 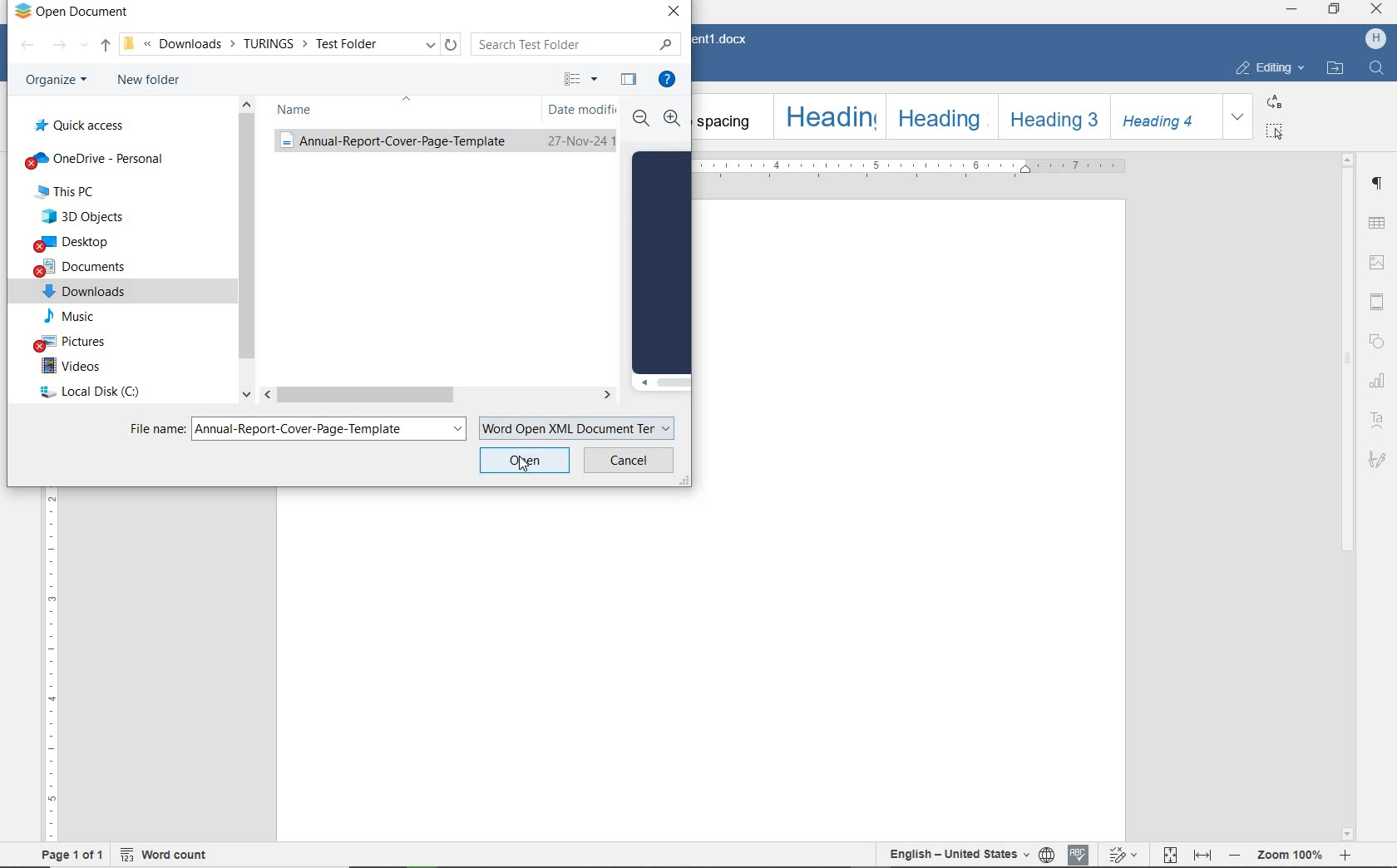 I want to click on Zoom in, so click(x=673, y=119).